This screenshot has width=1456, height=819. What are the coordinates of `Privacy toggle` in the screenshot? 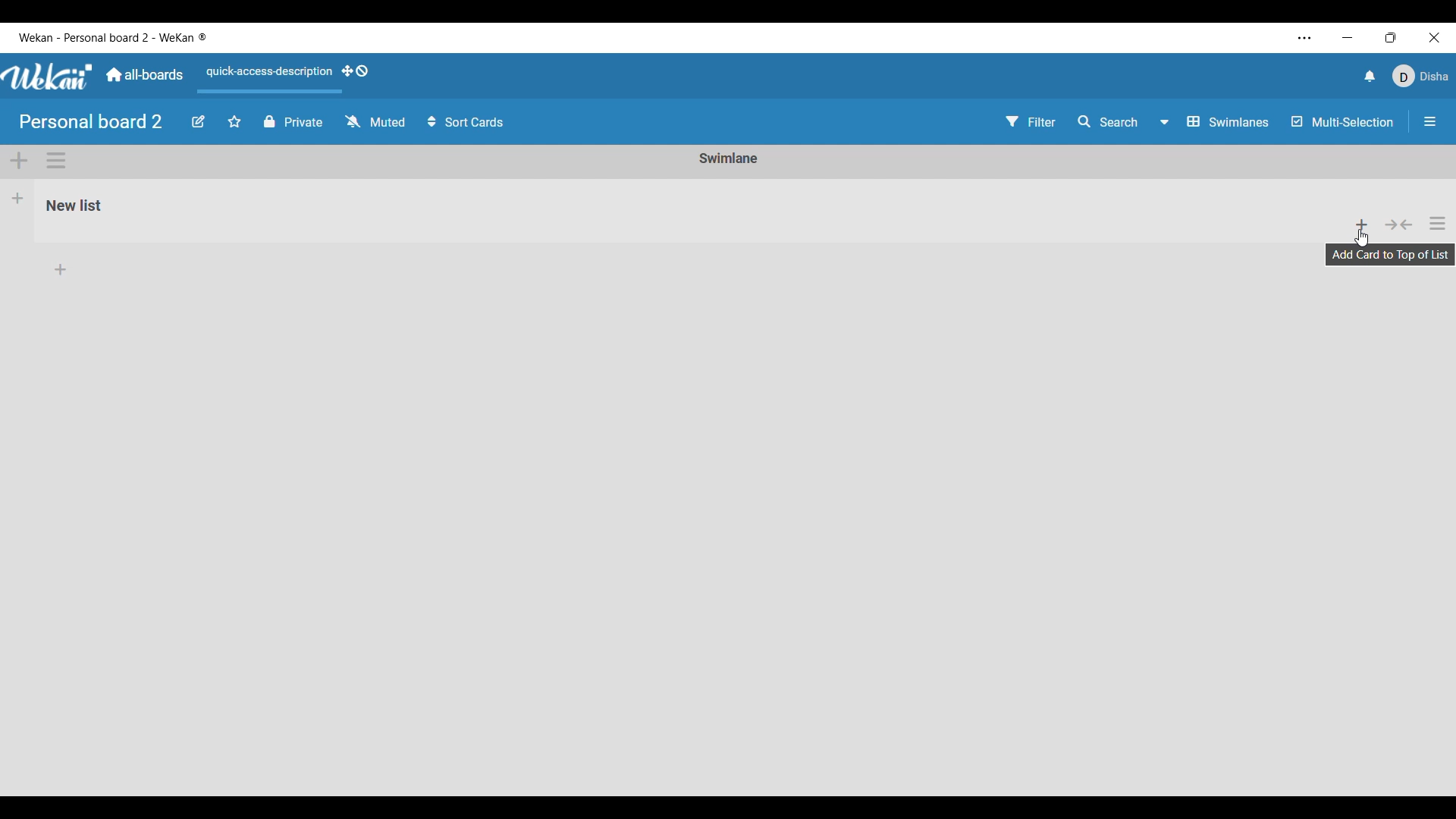 It's located at (293, 121).